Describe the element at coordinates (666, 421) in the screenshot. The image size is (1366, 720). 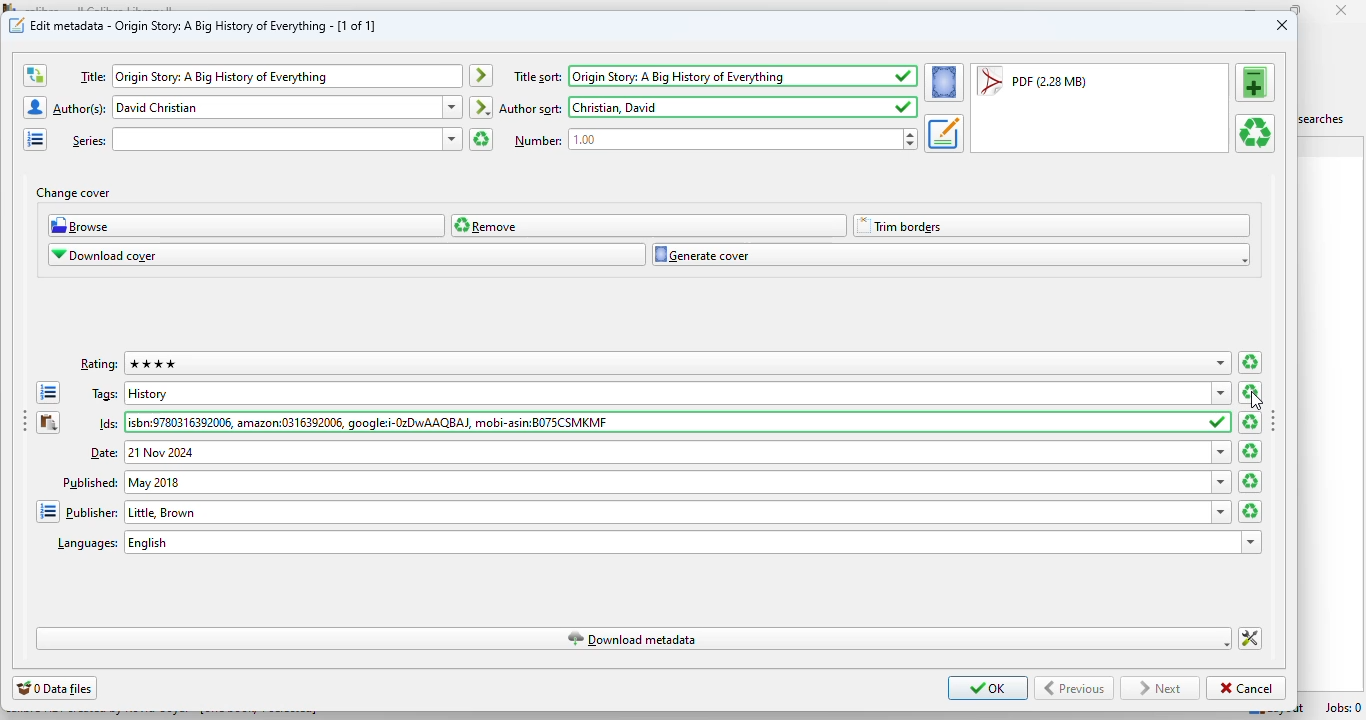
I see `ids:` at that location.